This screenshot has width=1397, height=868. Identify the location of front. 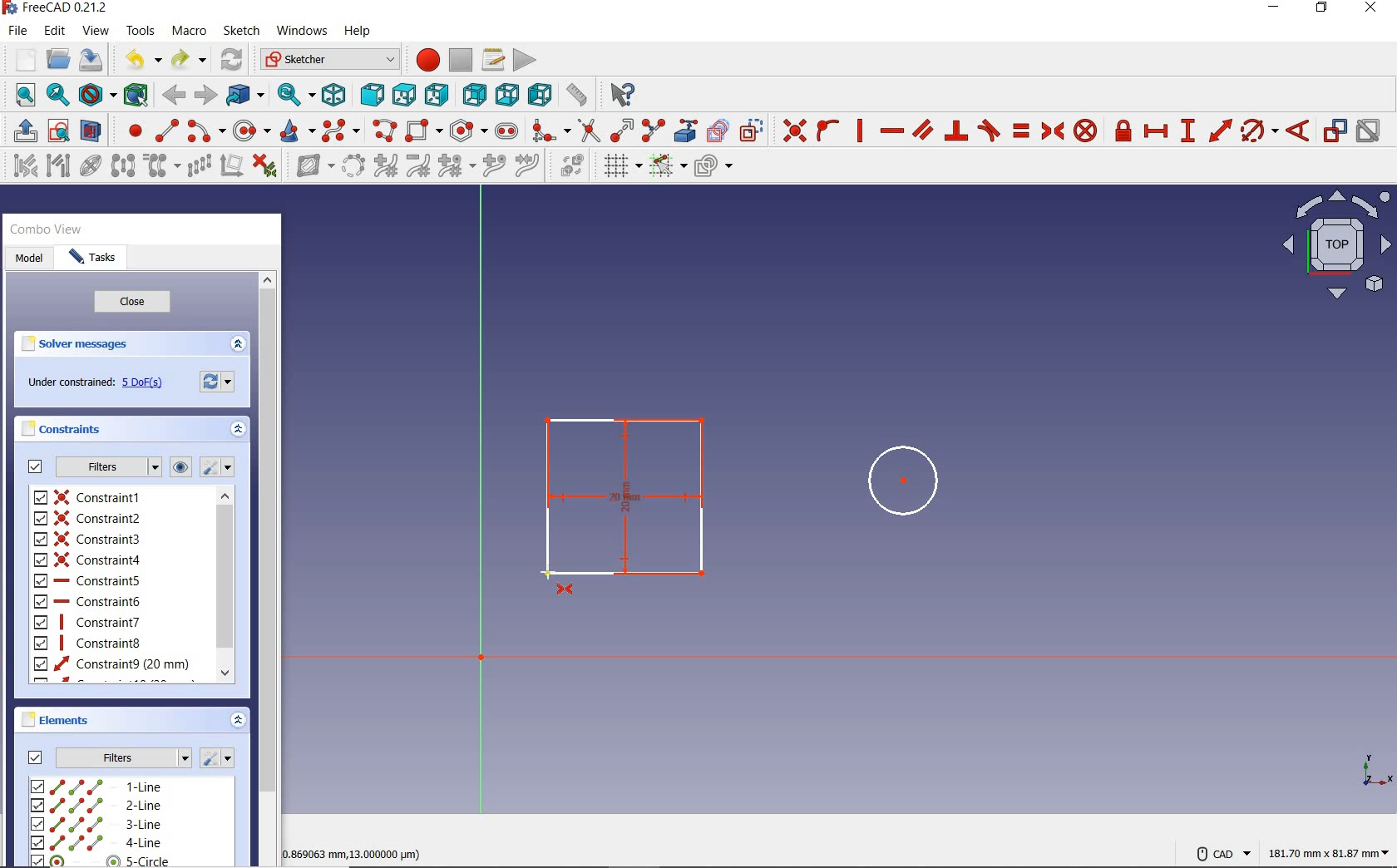
(371, 94).